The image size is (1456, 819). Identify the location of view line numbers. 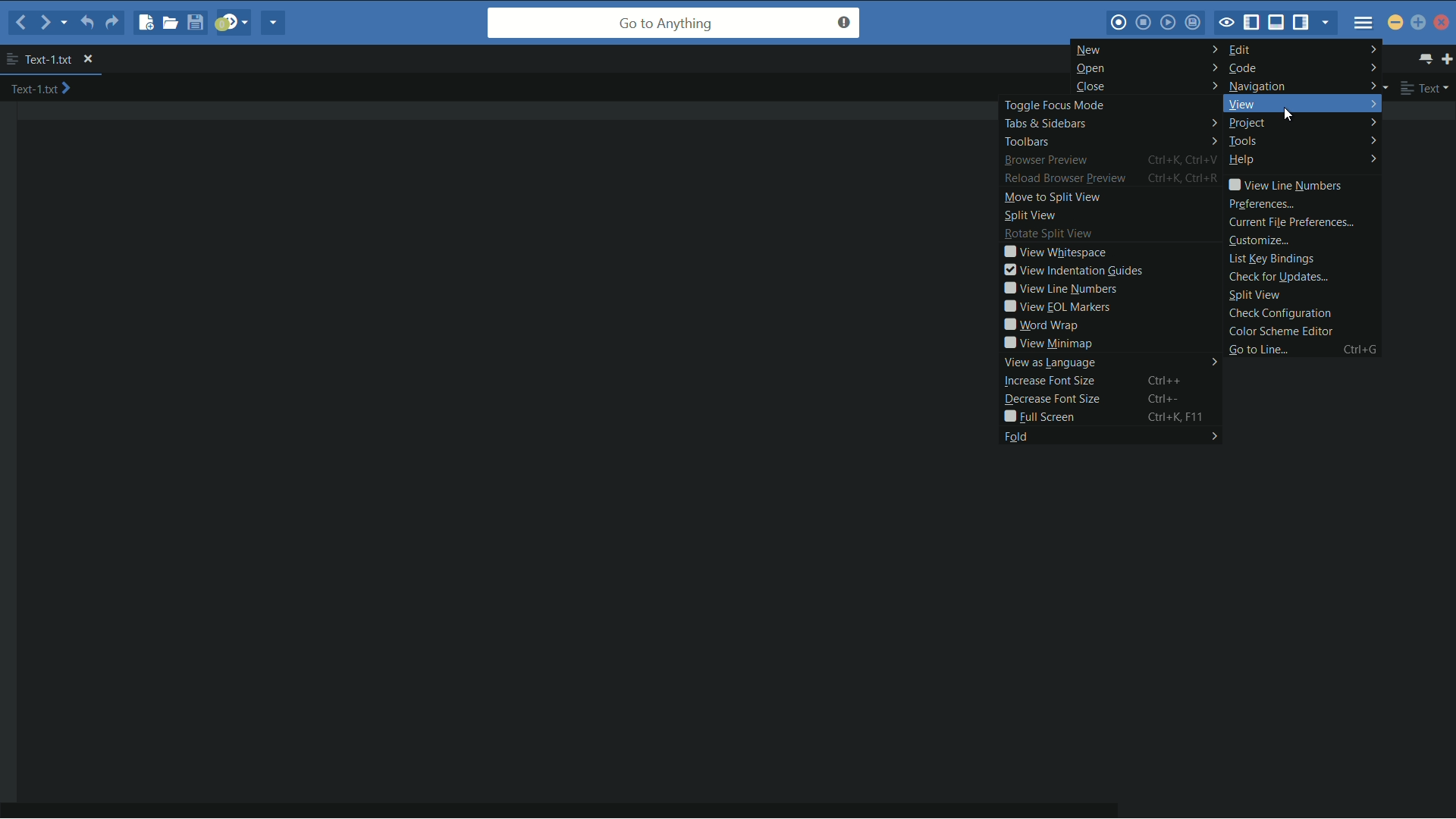
(1058, 288).